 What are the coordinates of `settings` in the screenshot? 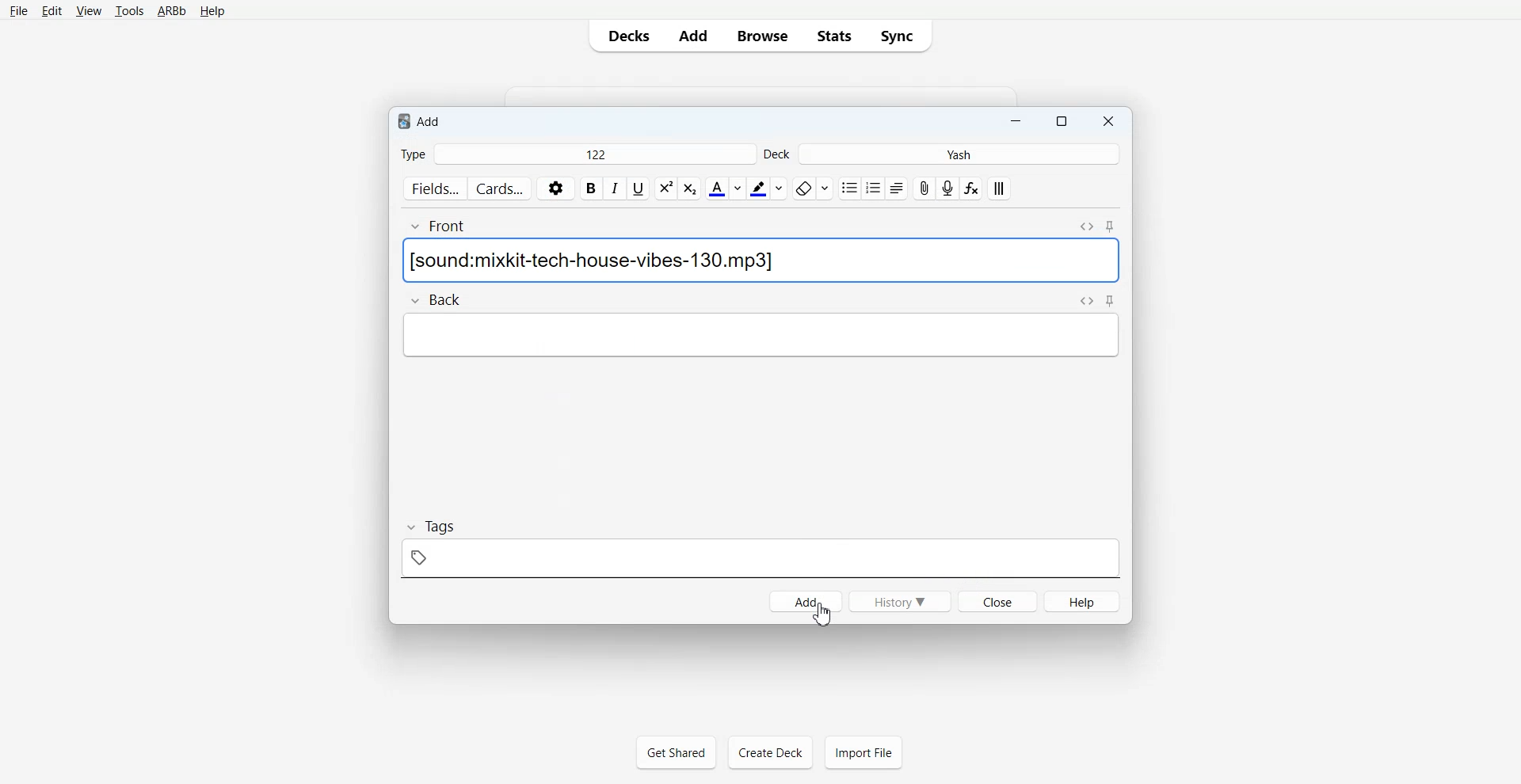 It's located at (555, 187).